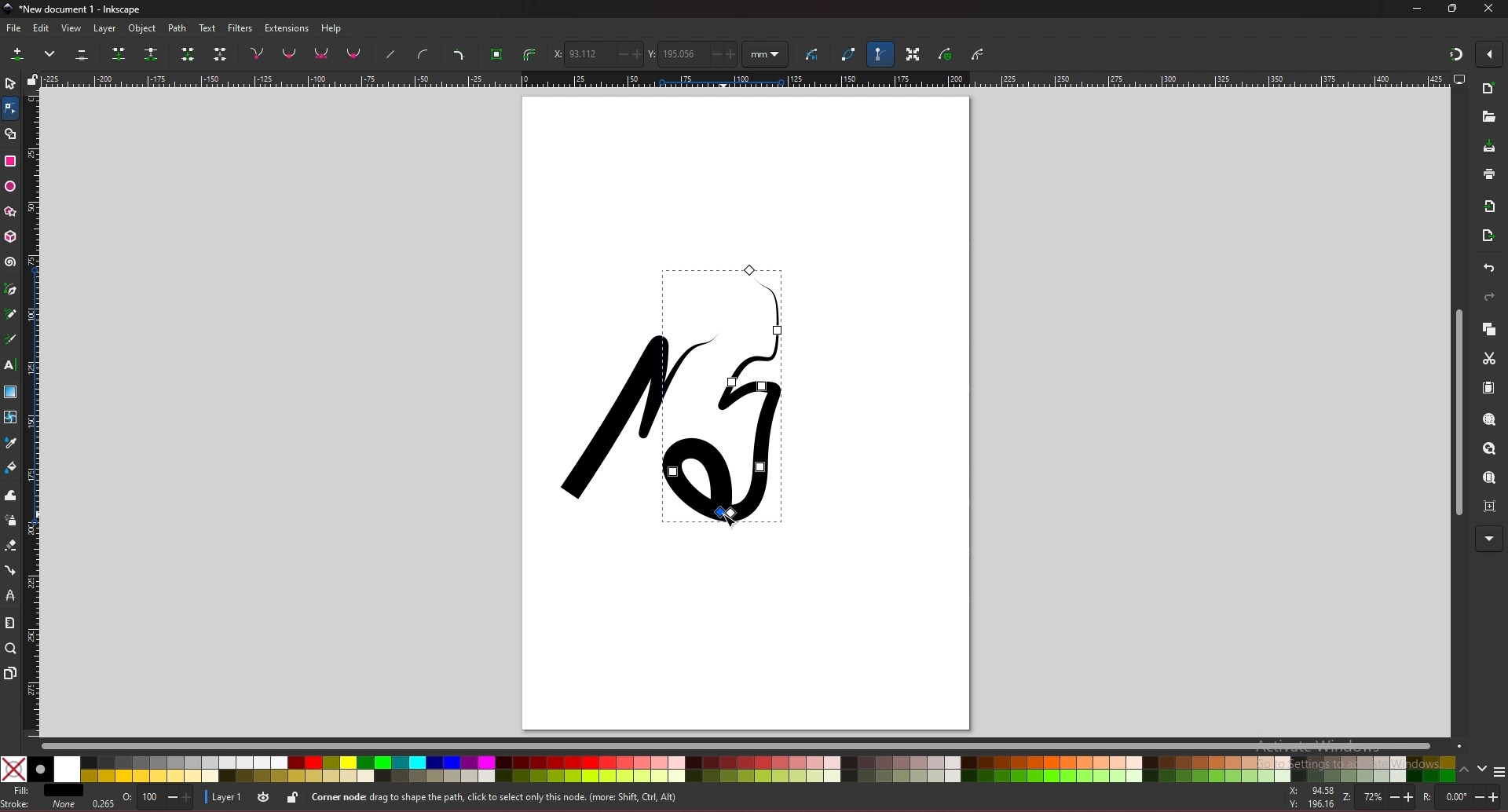 This screenshot has height=812, width=1508. What do you see at coordinates (1499, 770) in the screenshot?
I see `more colors` at bounding box center [1499, 770].